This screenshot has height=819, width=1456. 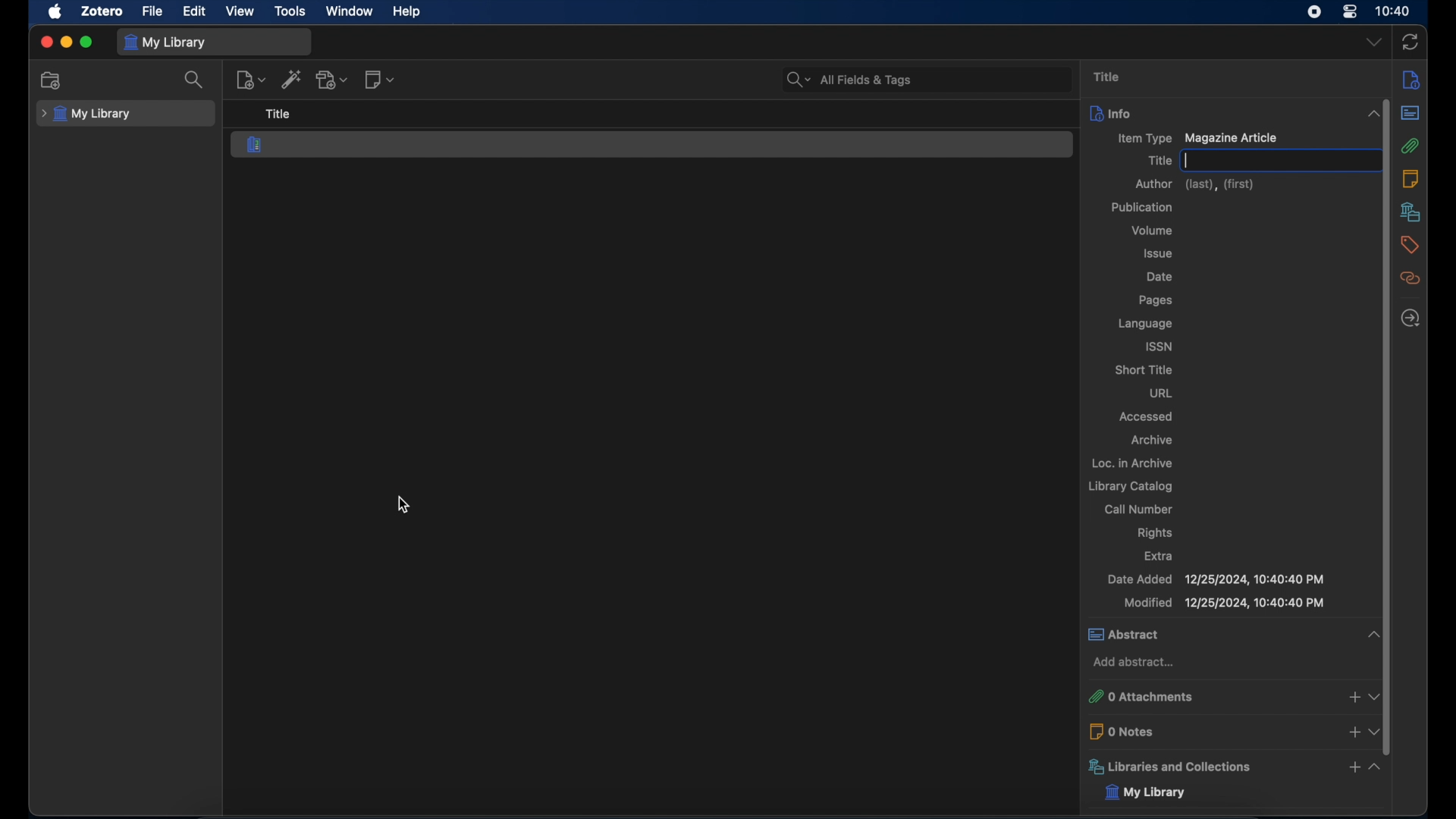 What do you see at coordinates (1350, 12) in the screenshot?
I see `control center` at bounding box center [1350, 12].